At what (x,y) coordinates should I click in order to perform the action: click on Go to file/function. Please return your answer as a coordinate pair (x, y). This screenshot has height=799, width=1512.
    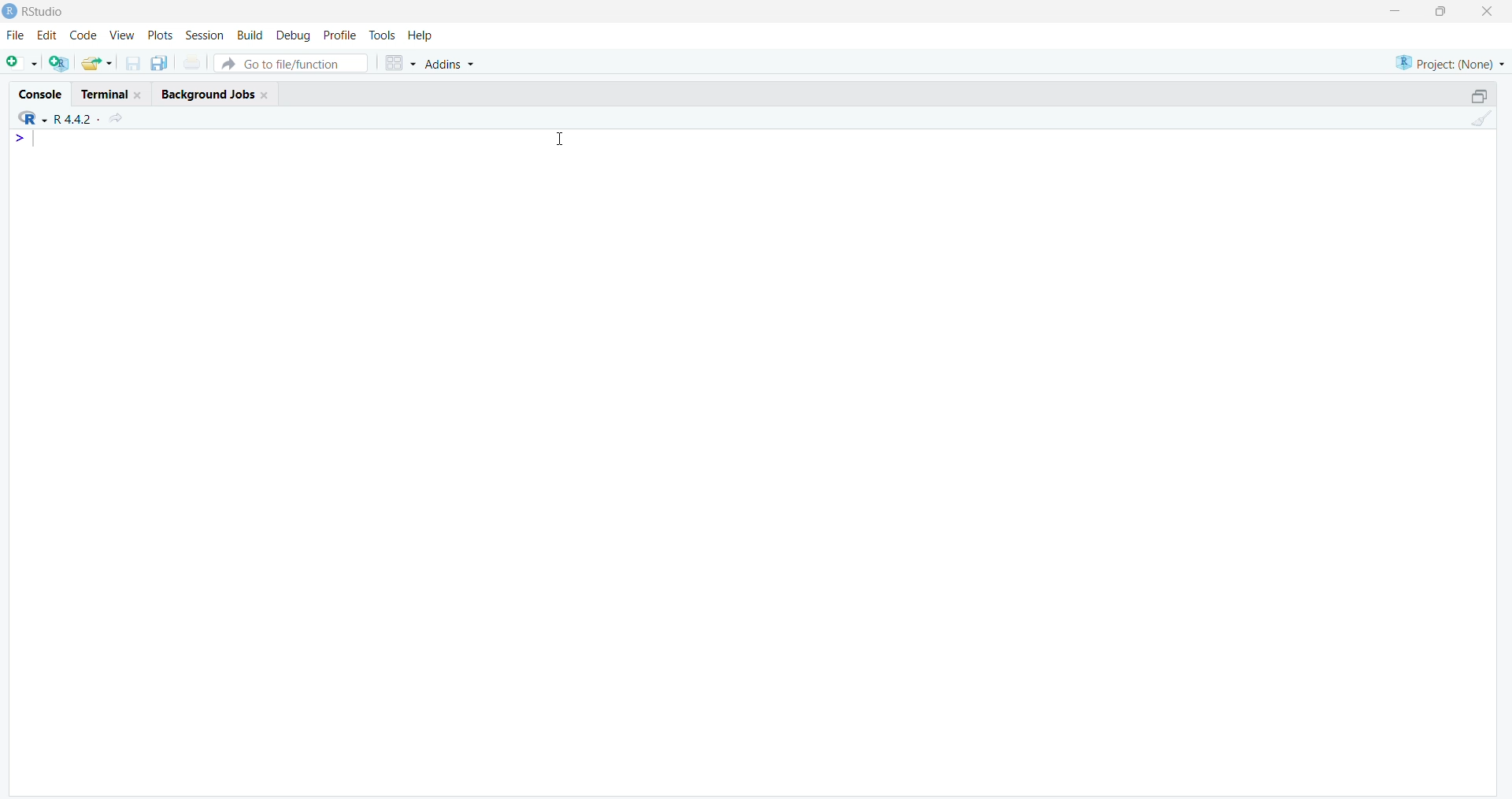
    Looking at the image, I should click on (295, 61).